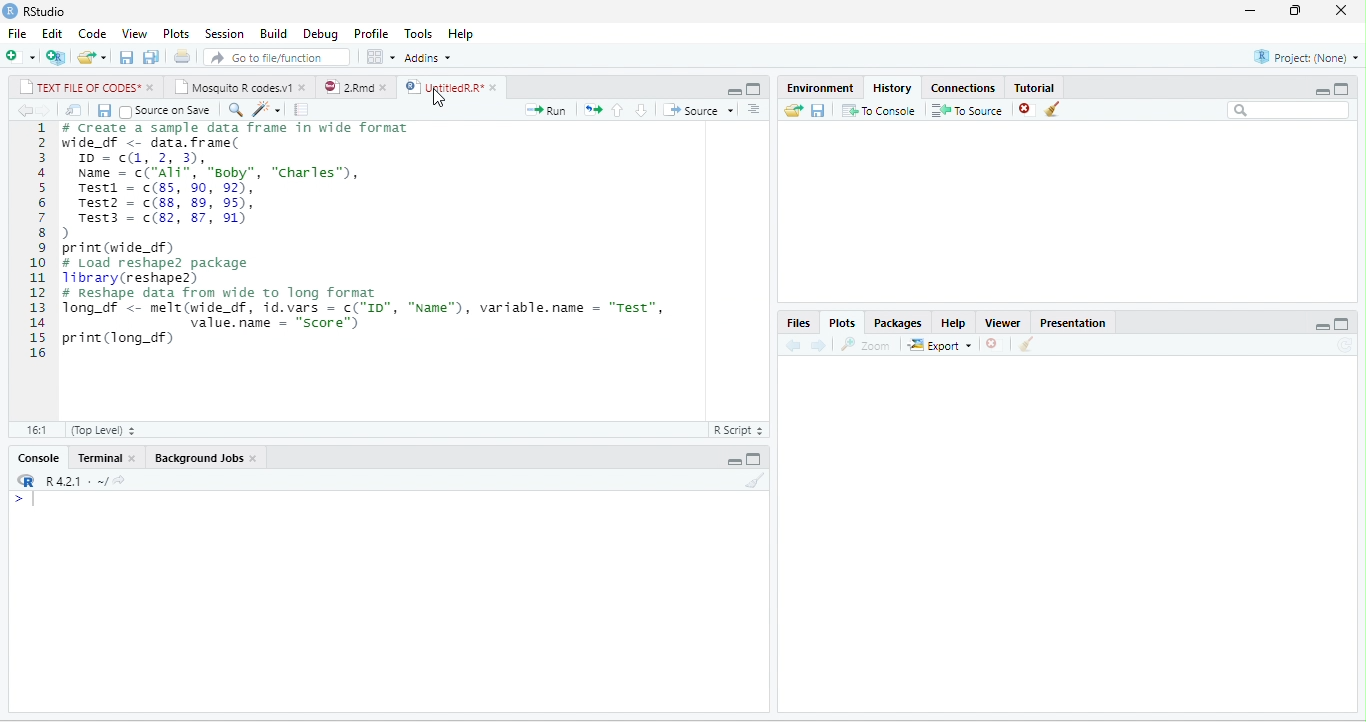  I want to click on close file, so click(994, 344).